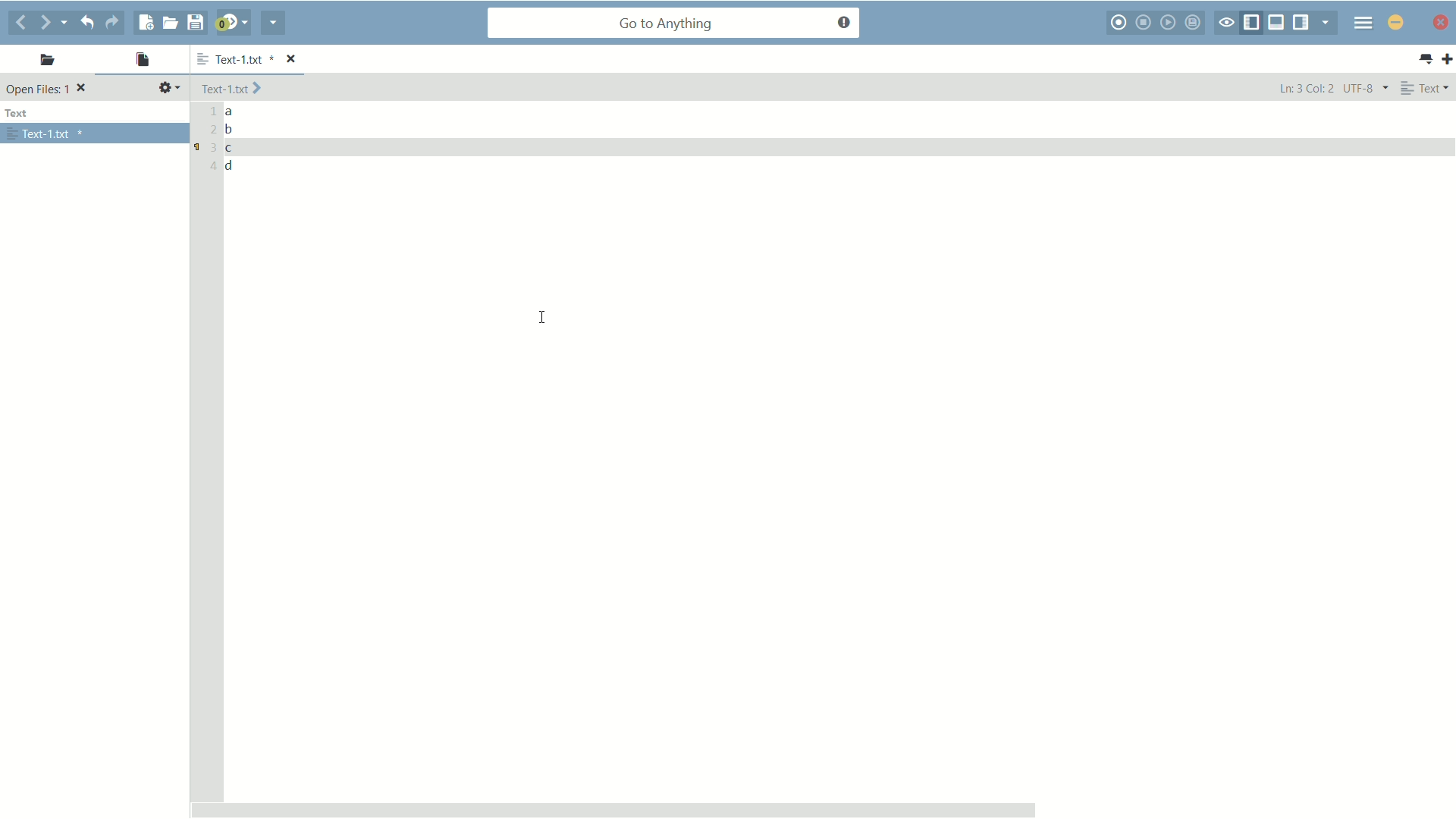 The image size is (1456, 819). I want to click on more options, so click(199, 60).